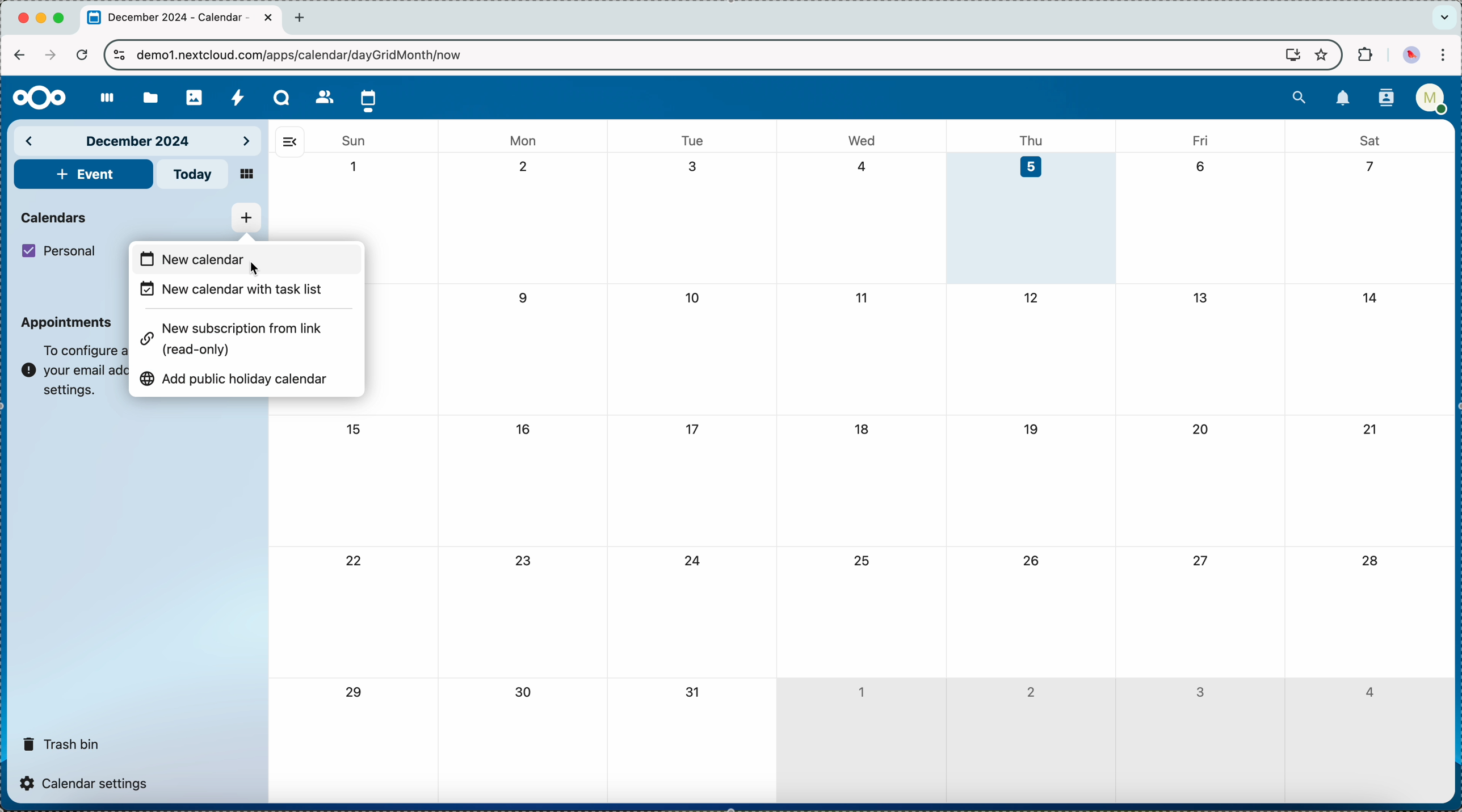  What do you see at coordinates (694, 693) in the screenshot?
I see `31` at bounding box center [694, 693].